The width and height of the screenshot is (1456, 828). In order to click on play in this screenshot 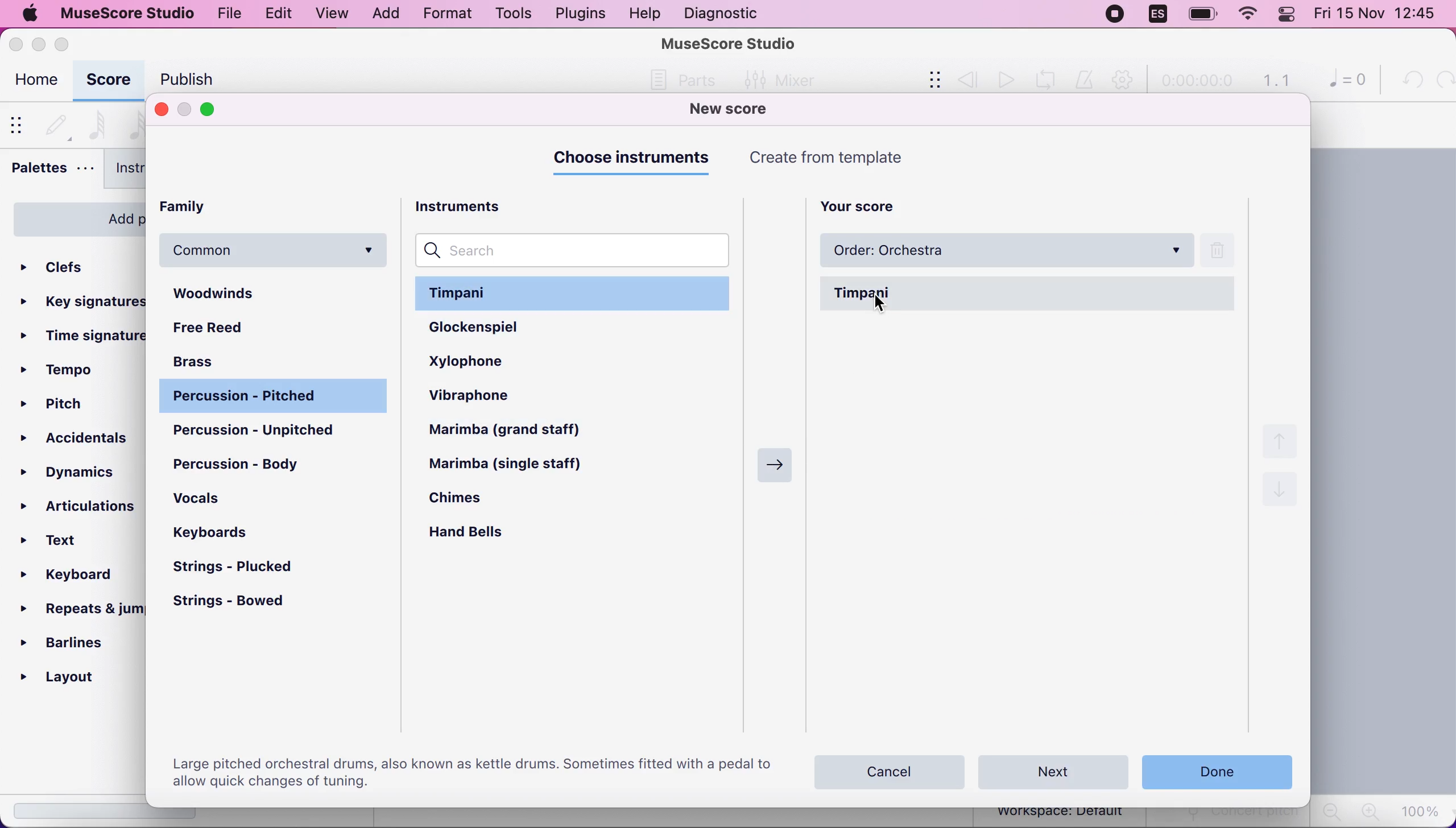, I will do `click(1004, 80)`.